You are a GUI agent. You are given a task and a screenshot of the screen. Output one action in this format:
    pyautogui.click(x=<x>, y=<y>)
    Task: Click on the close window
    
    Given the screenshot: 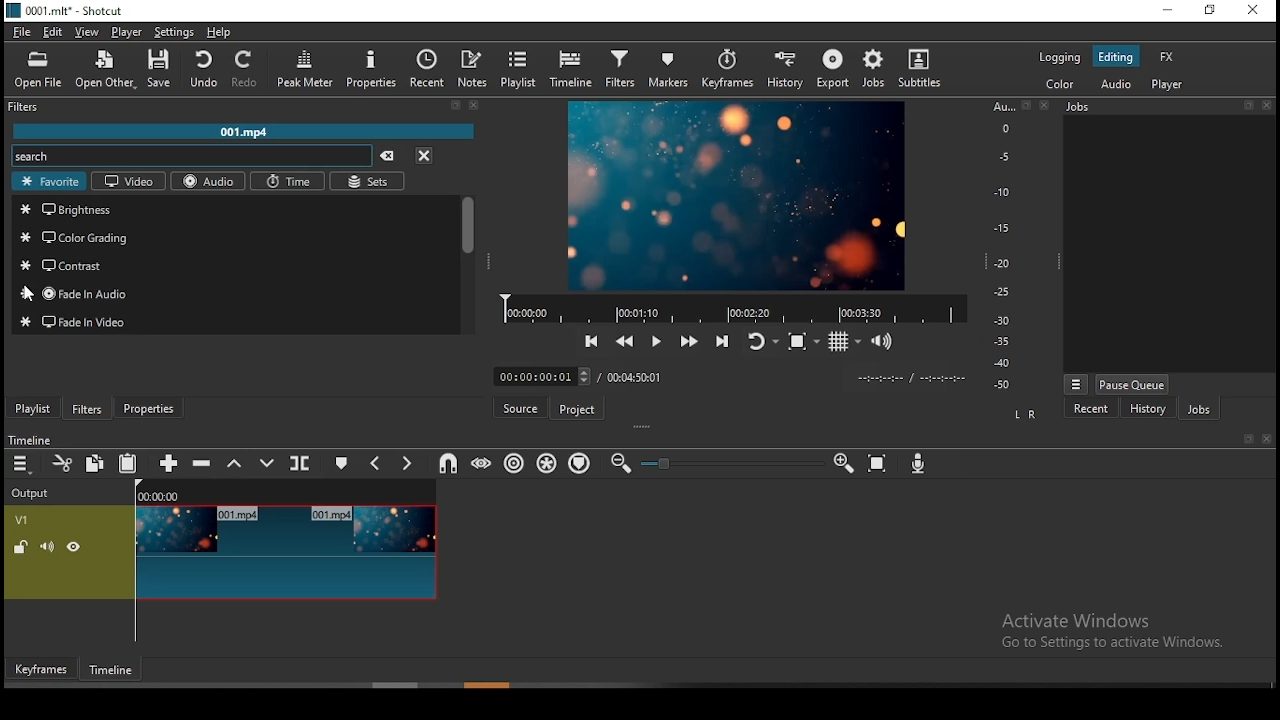 What is the action you would take?
    pyautogui.click(x=1252, y=11)
    